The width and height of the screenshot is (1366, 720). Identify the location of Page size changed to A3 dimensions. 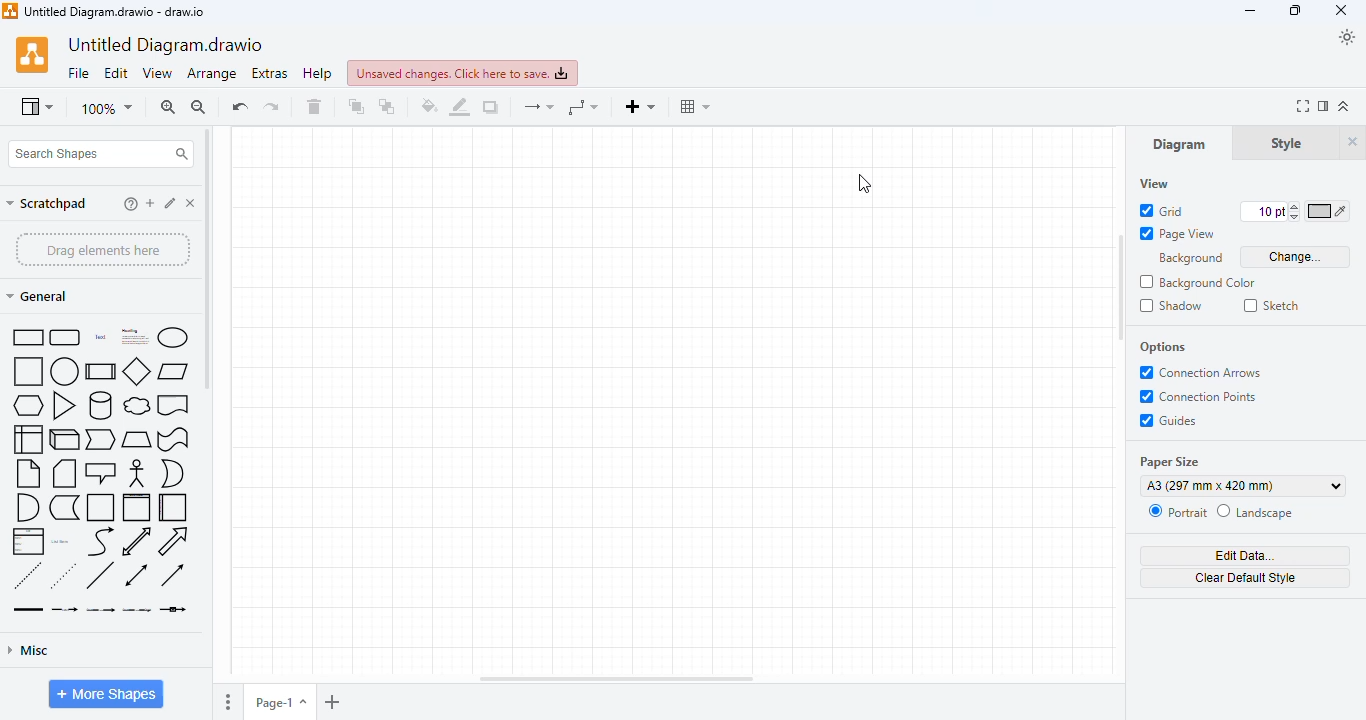
(669, 400).